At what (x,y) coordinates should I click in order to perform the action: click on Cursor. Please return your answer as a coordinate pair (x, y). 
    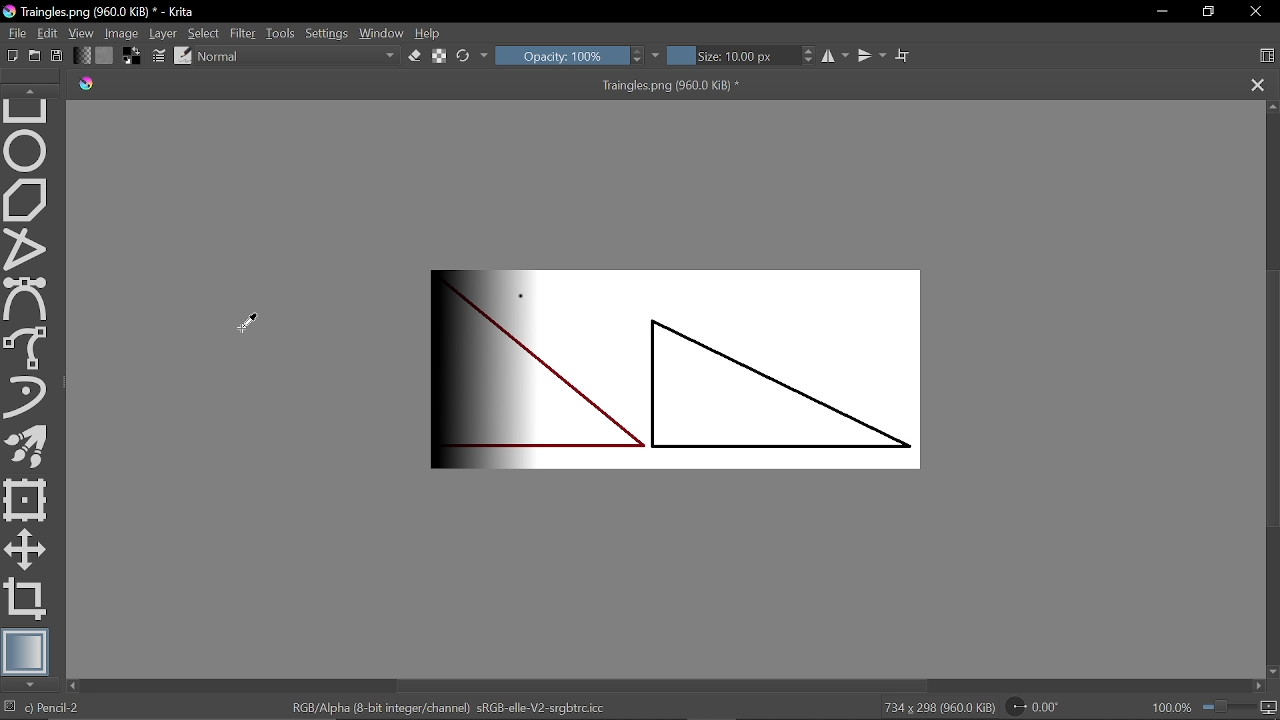
    Looking at the image, I should click on (251, 322).